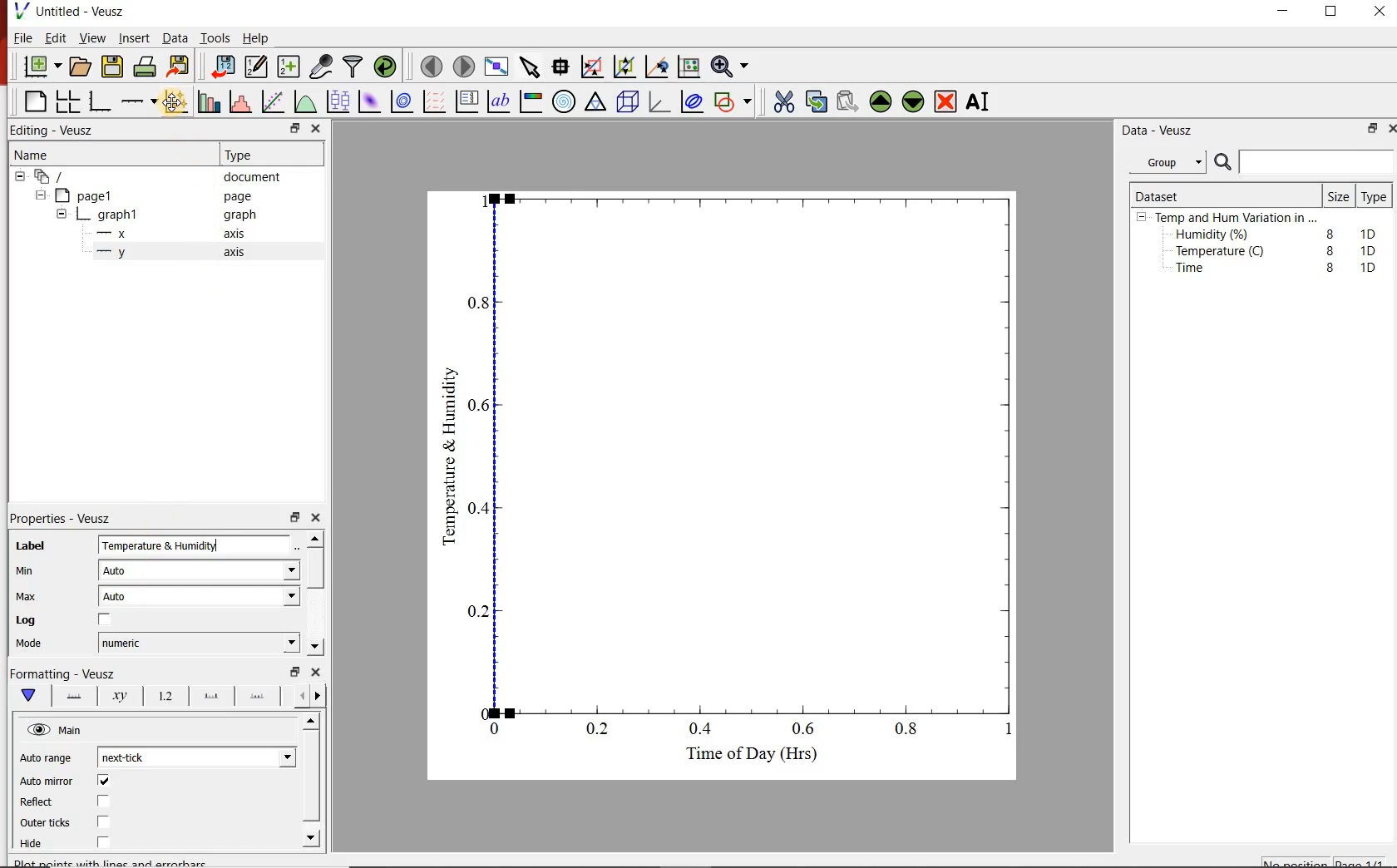 The height and width of the screenshot is (868, 1397). What do you see at coordinates (210, 99) in the screenshot?
I see `plot bar charts` at bounding box center [210, 99].